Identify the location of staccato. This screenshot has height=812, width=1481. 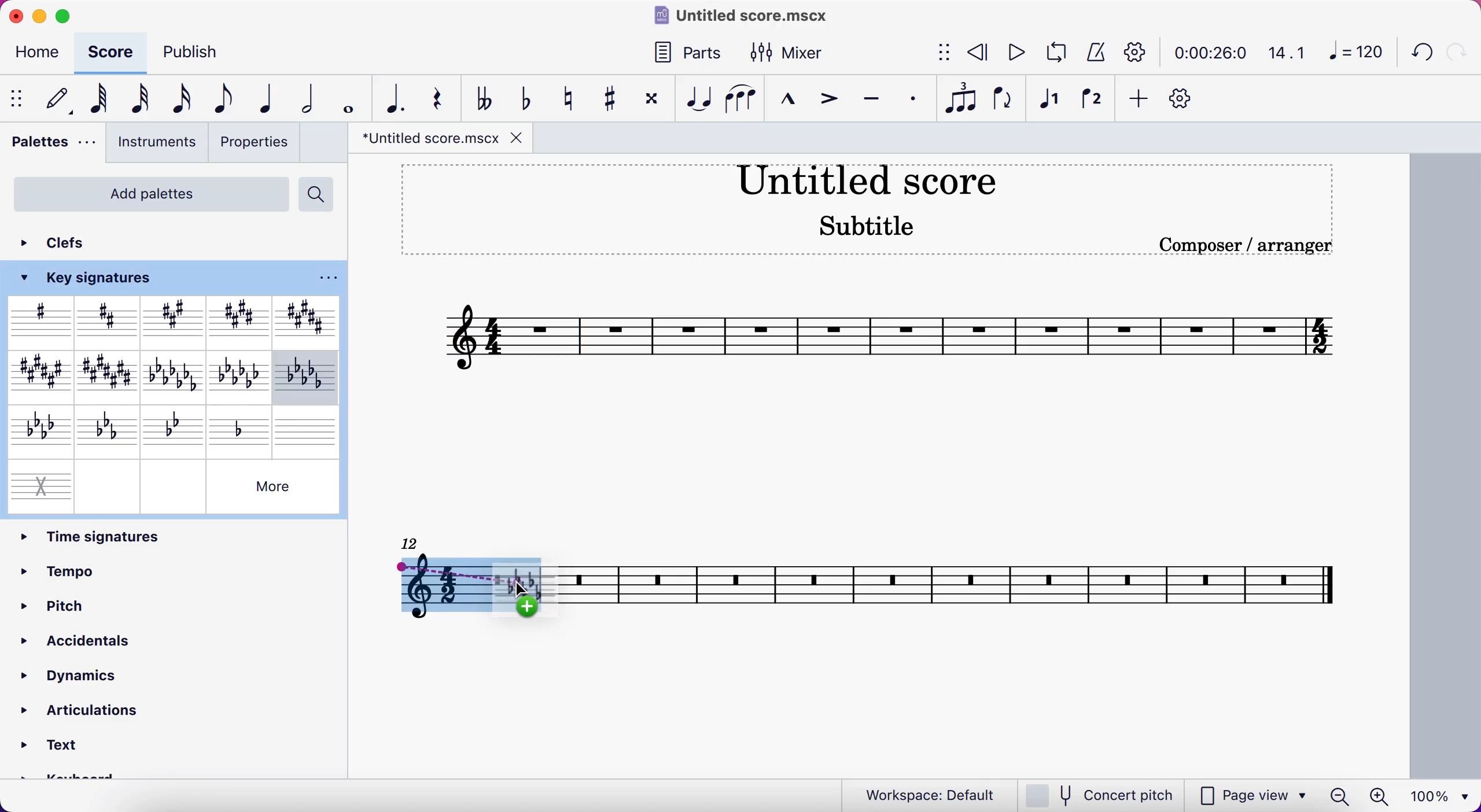
(918, 99).